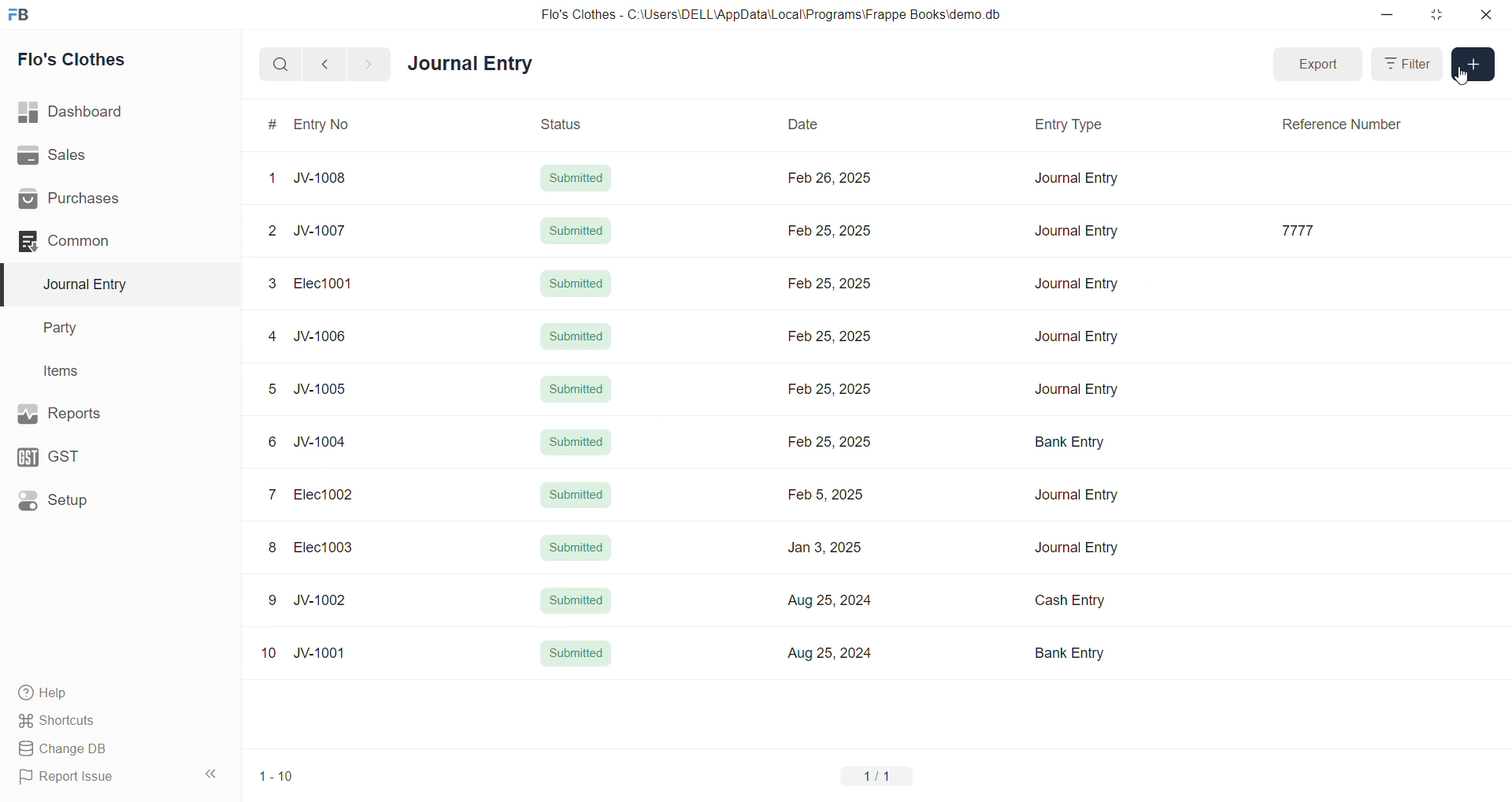  What do you see at coordinates (576, 233) in the screenshot?
I see `Submitted` at bounding box center [576, 233].